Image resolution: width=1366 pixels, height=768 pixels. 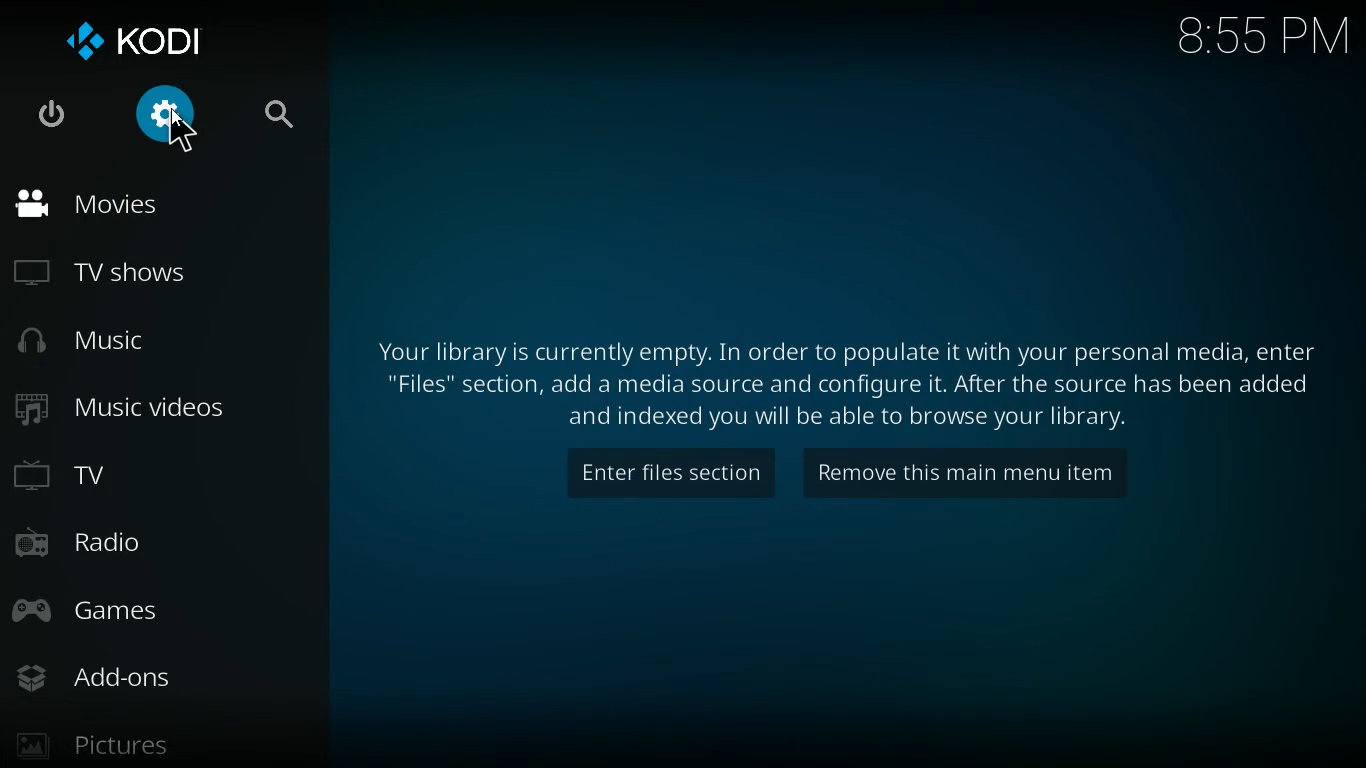 I want to click on message, so click(x=839, y=381).